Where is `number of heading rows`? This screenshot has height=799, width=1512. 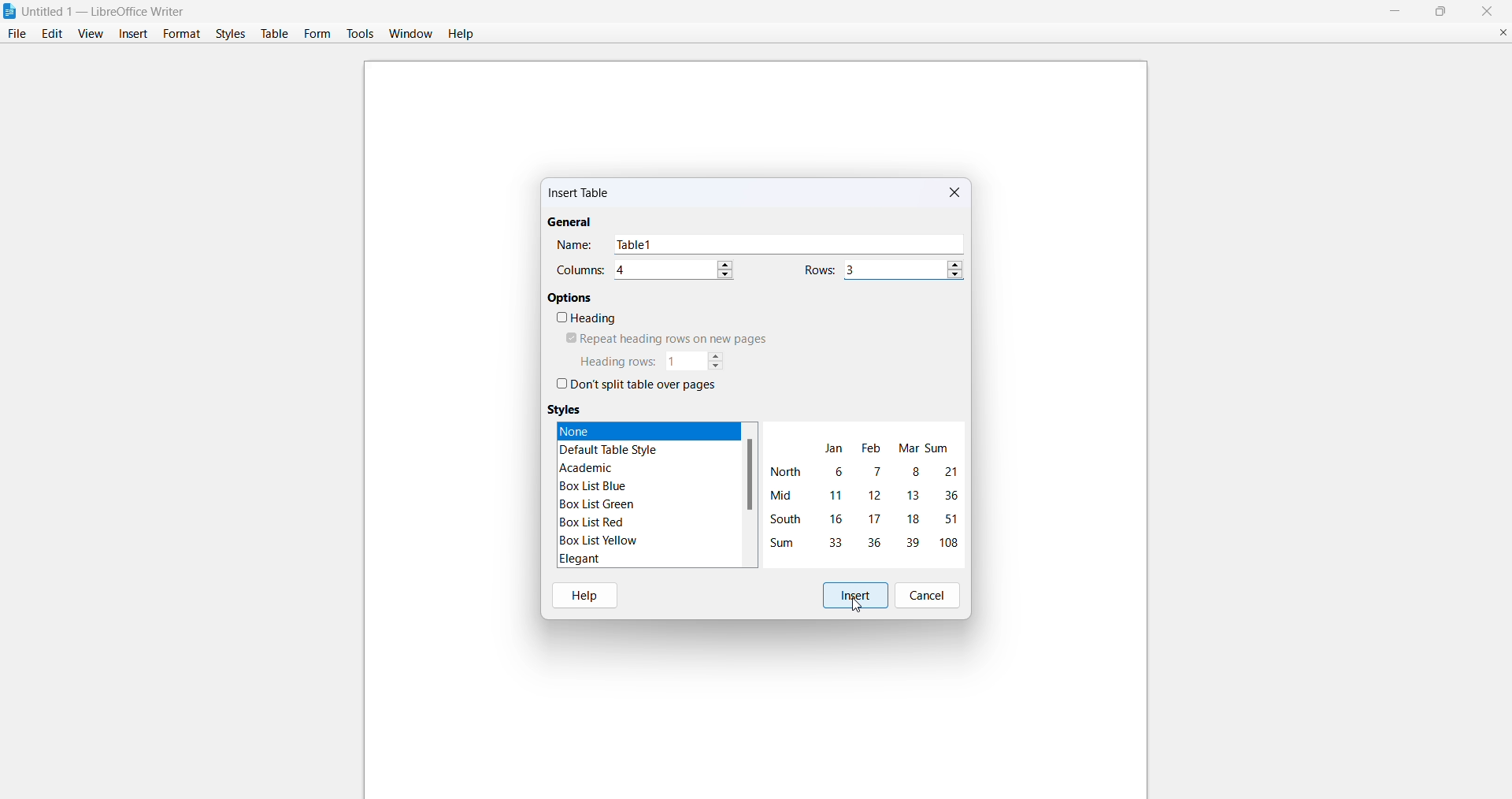
number of heading rows is located at coordinates (684, 361).